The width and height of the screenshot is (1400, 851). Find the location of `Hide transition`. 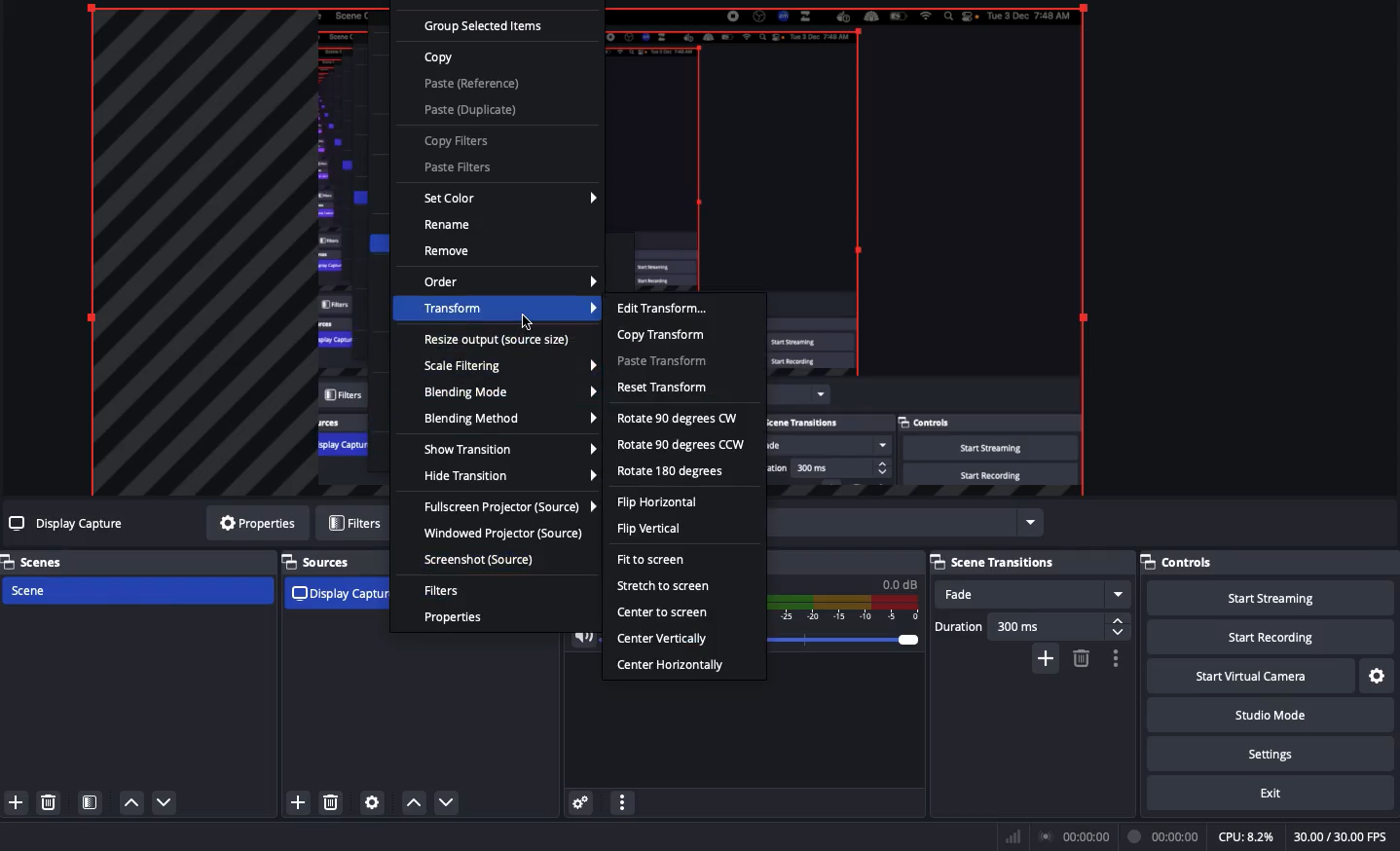

Hide transition is located at coordinates (510, 477).